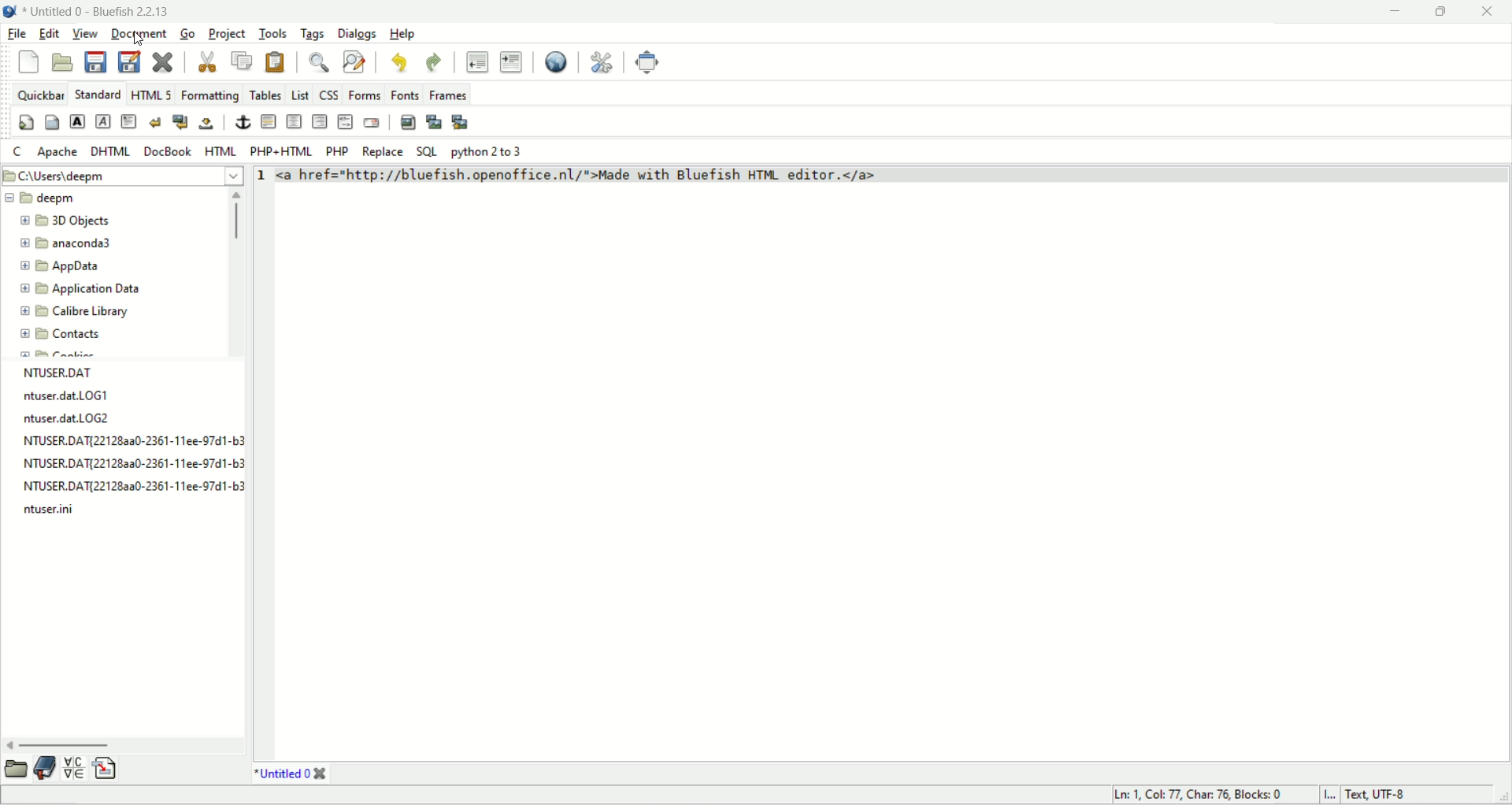 The height and width of the screenshot is (805, 1512). What do you see at coordinates (400, 63) in the screenshot?
I see `undo` at bounding box center [400, 63].